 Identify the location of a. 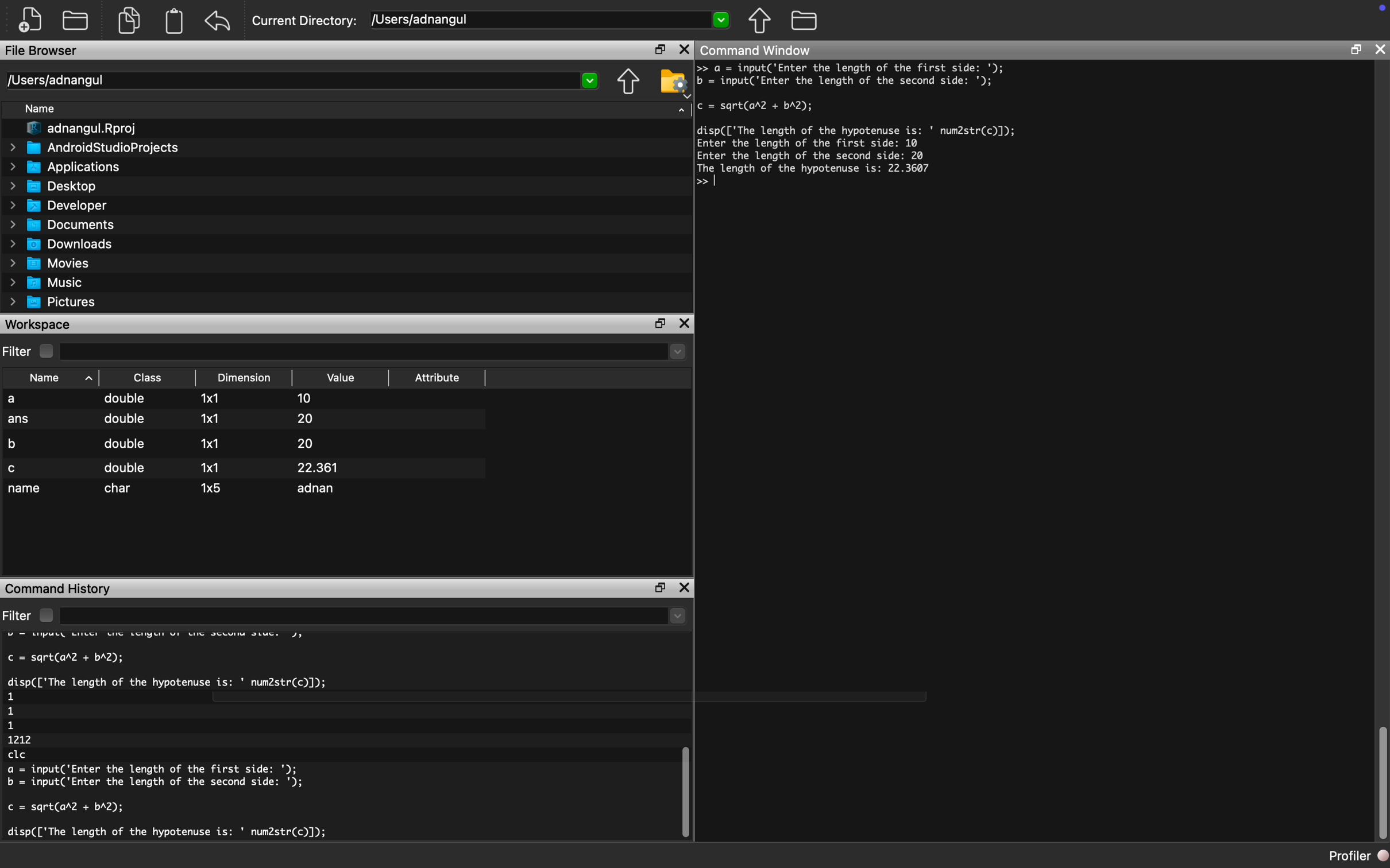
(21, 400).